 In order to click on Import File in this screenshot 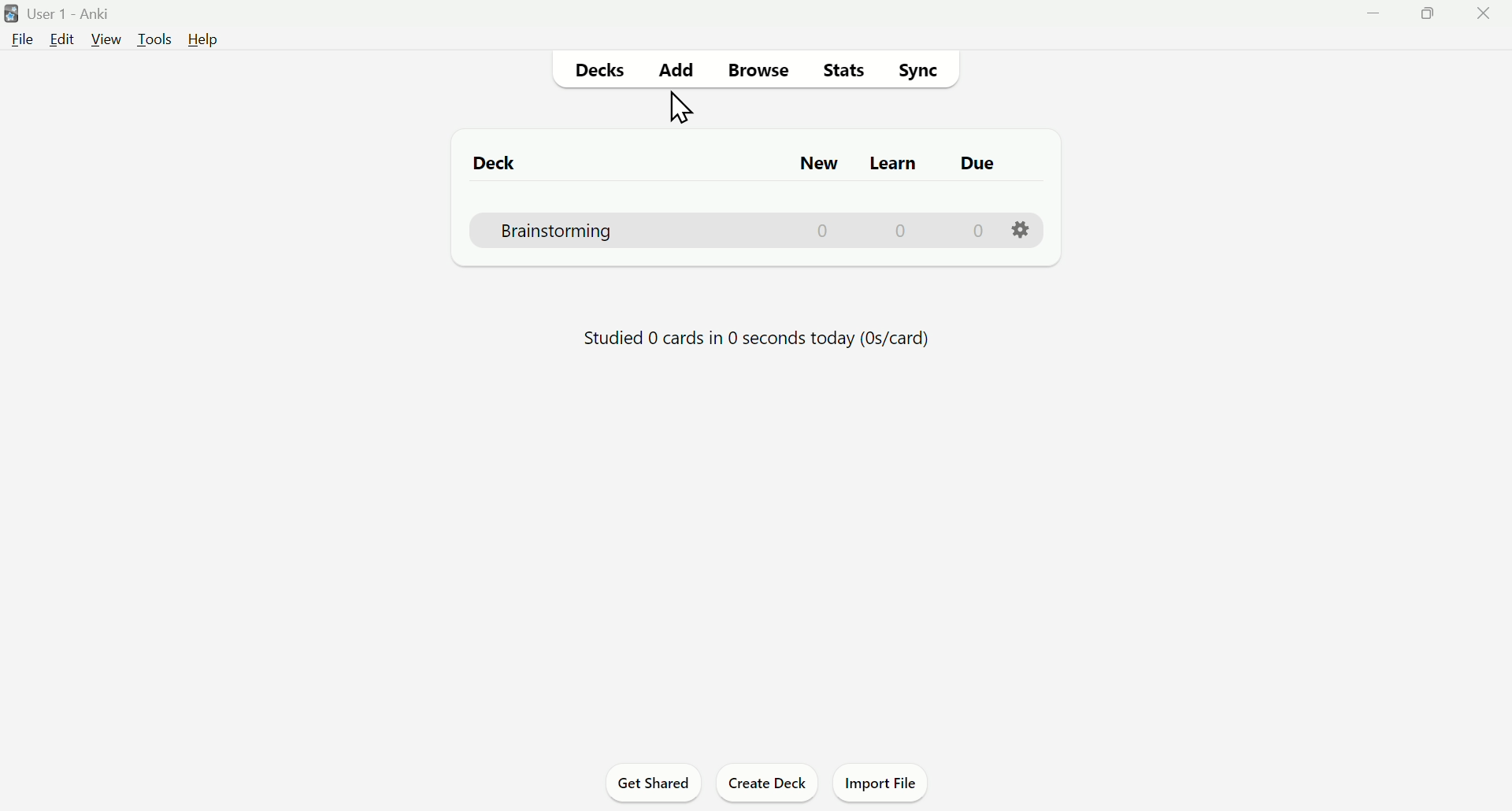, I will do `click(882, 780)`.